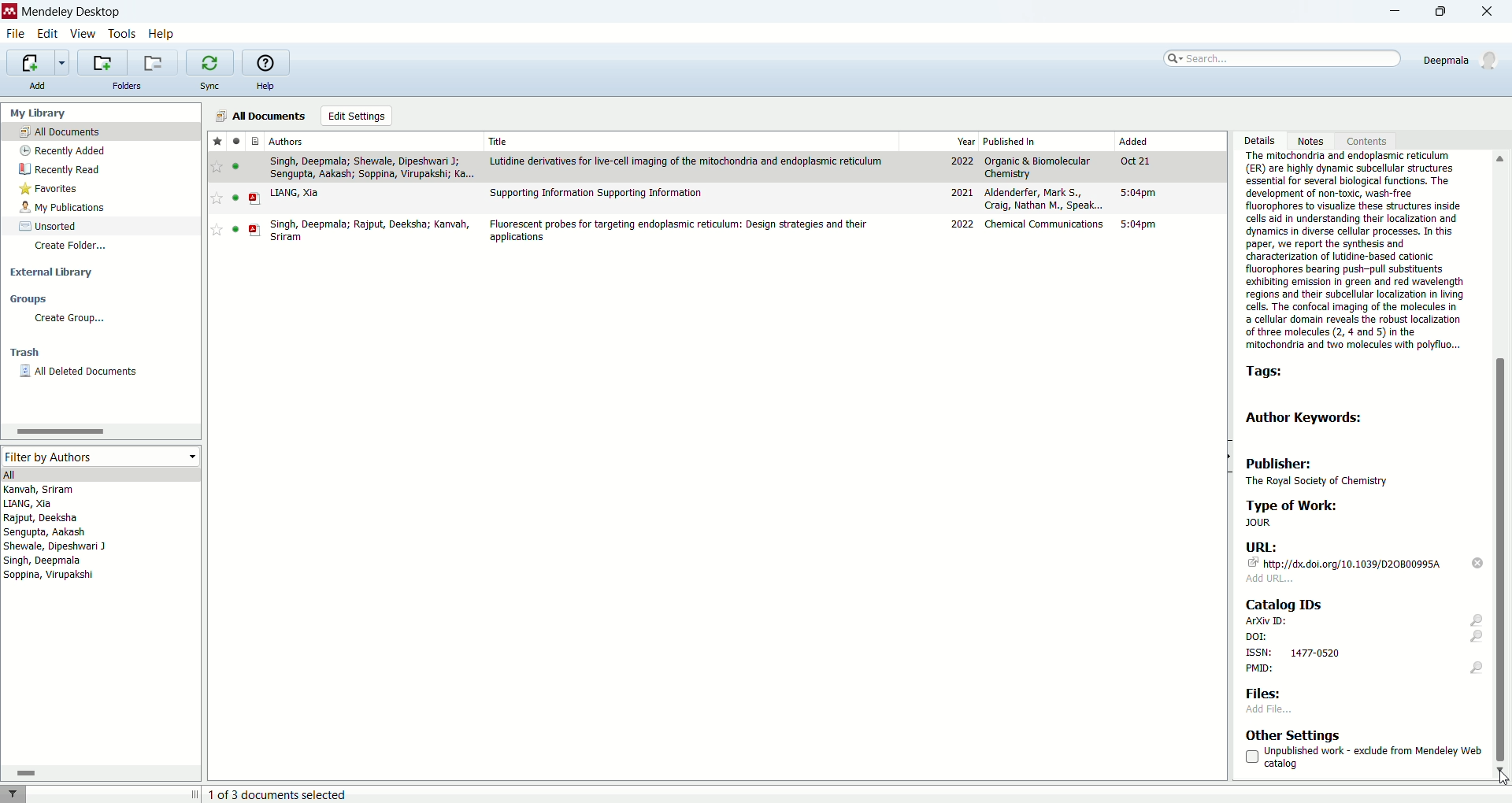  Describe the element at coordinates (1503, 464) in the screenshot. I see `vertical scroll bar` at that location.